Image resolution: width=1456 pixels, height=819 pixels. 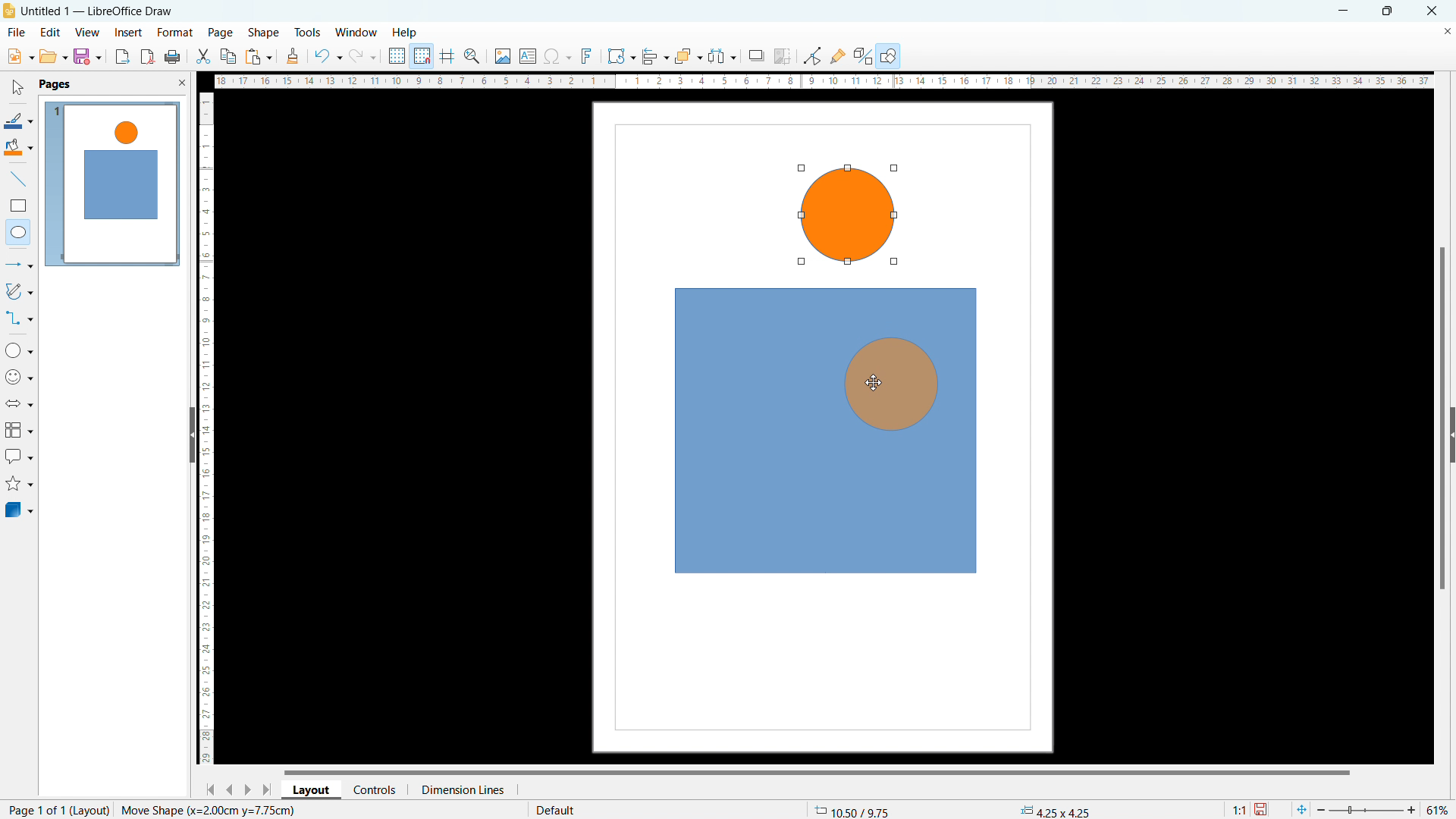 I want to click on zoom and pan, so click(x=472, y=58).